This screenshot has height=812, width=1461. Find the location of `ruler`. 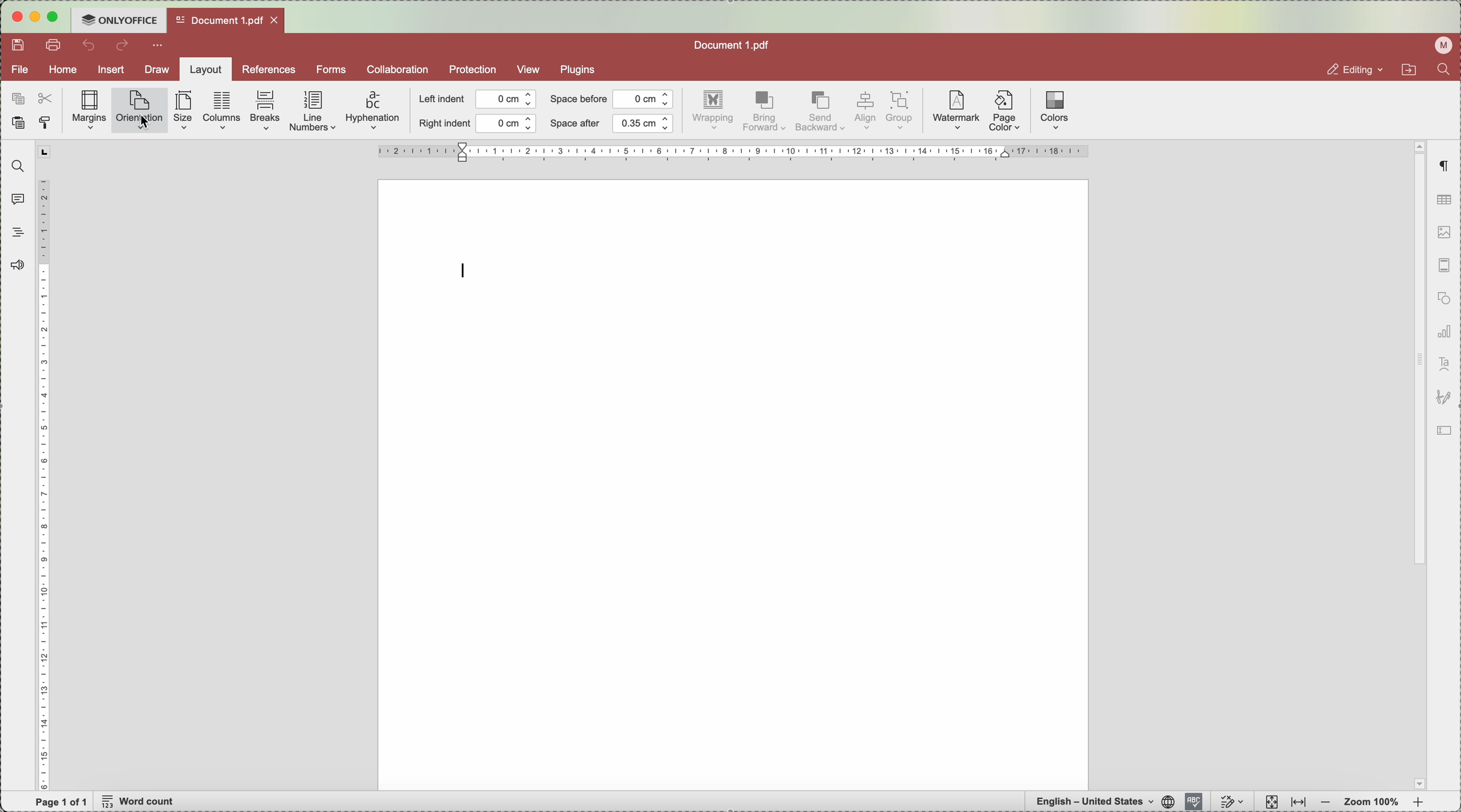

ruler is located at coordinates (45, 466).